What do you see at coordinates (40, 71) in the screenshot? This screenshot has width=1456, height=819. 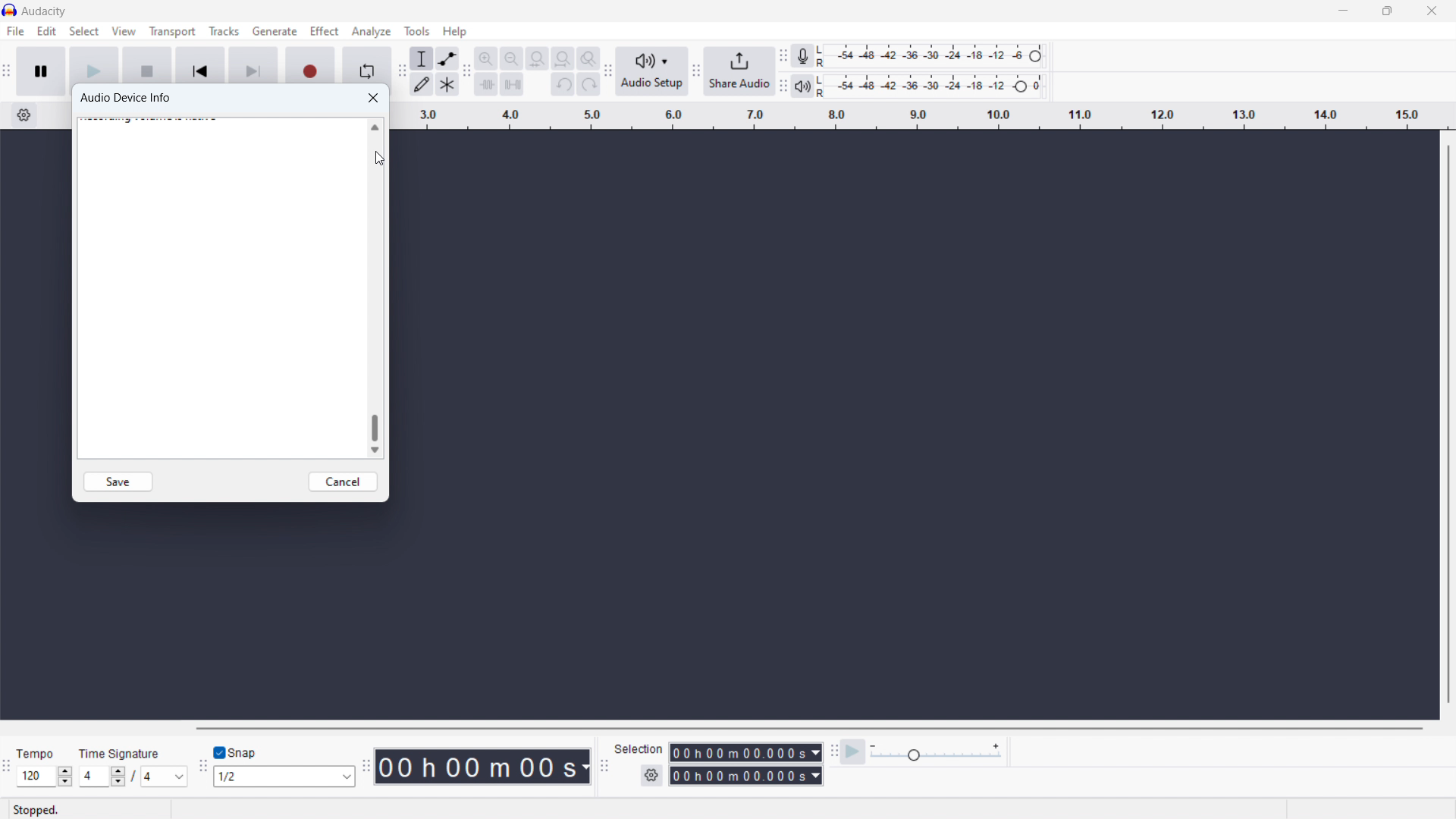 I see `pause` at bounding box center [40, 71].